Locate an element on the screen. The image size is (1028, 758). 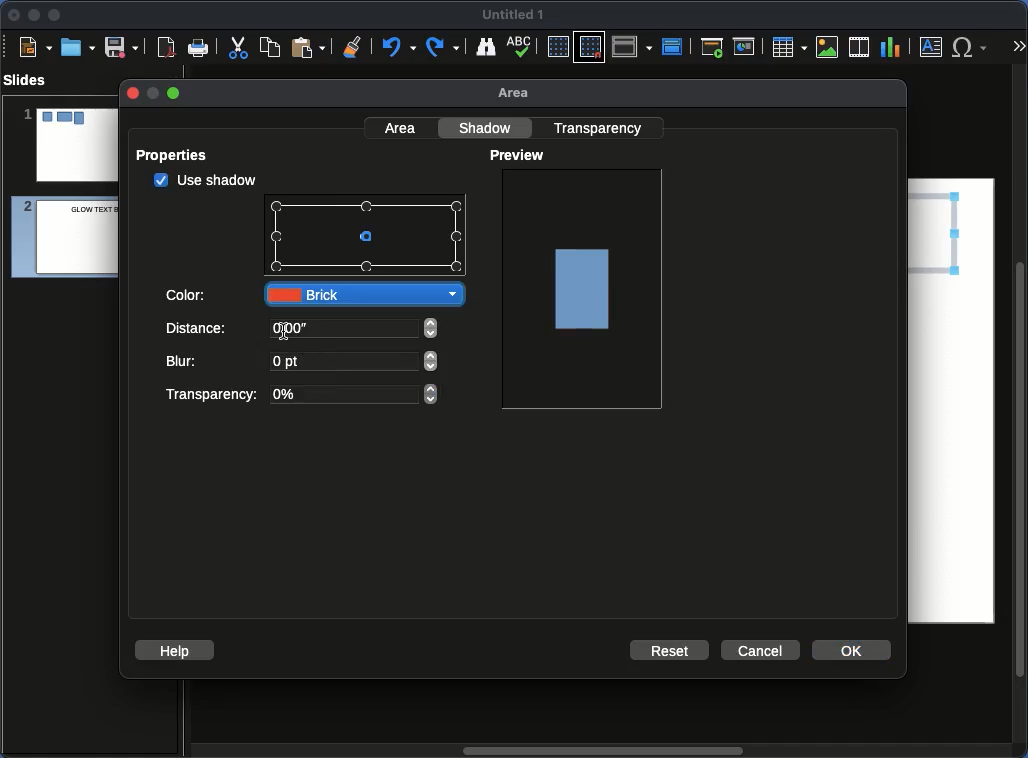
Color is located at coordinates (188, 293).